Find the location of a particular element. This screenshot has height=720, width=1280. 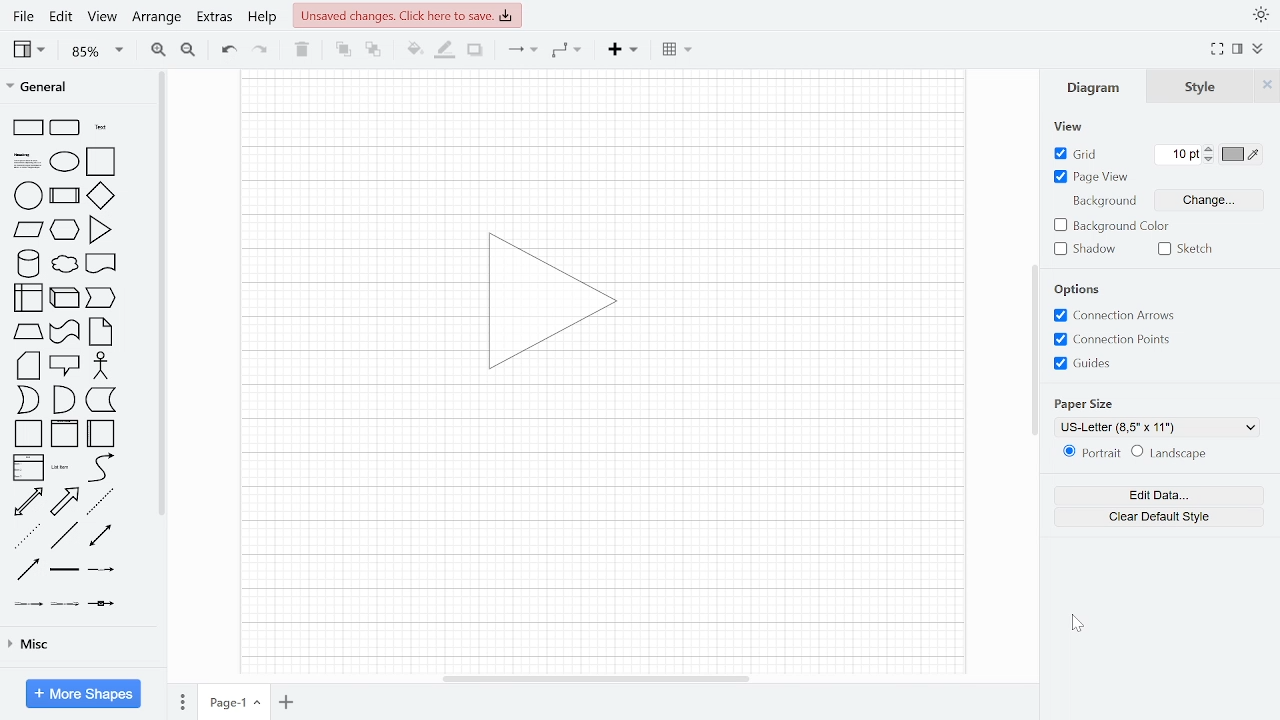

Square is located at coordinates (100, 162).